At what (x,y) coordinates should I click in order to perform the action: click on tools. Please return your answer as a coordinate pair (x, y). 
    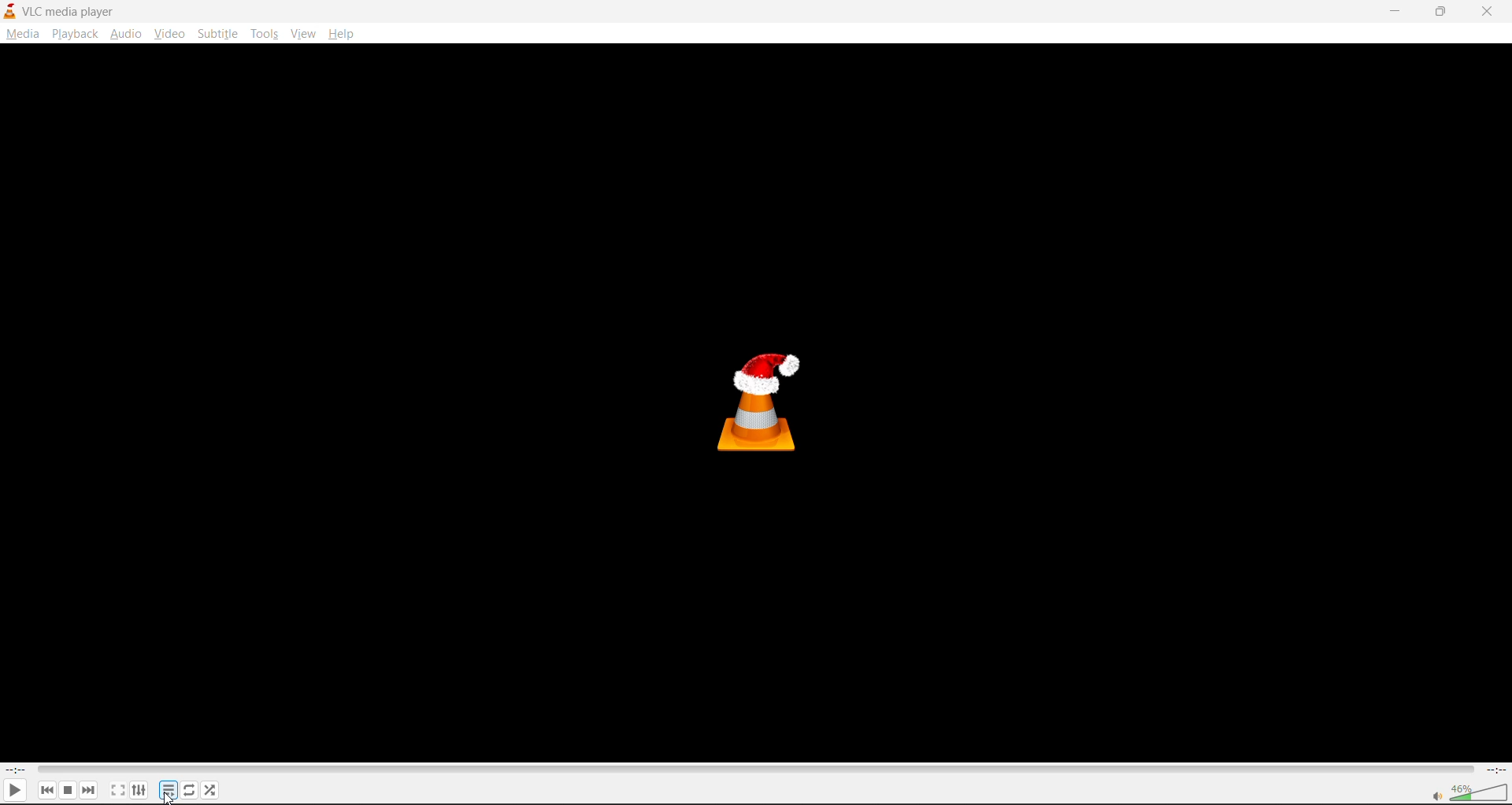
    Looking at the image, I should click on (268, 34).